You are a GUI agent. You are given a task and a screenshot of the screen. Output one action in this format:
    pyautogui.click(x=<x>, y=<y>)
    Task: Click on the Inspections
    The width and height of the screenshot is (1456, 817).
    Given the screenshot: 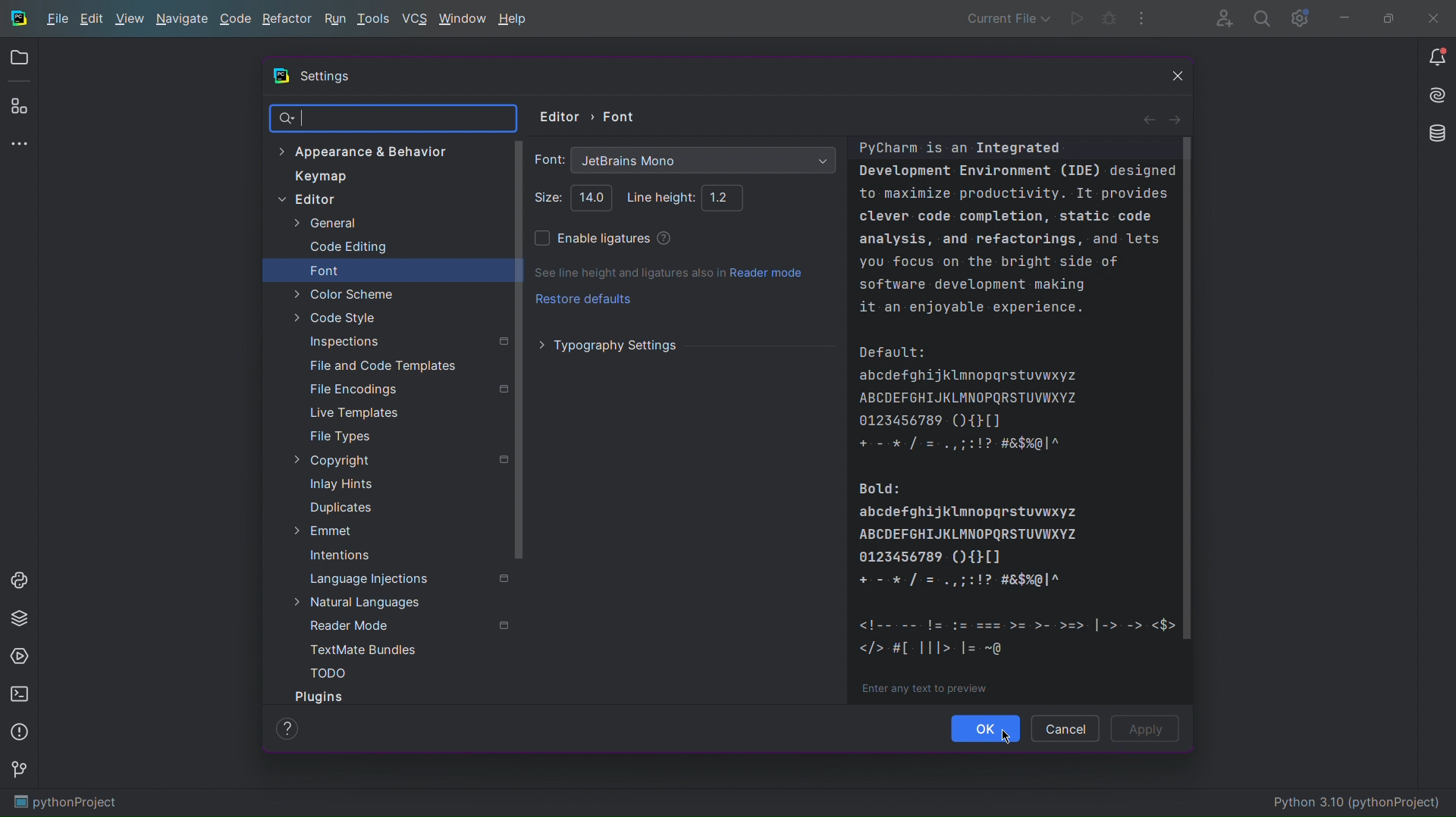 What is the action you would take?
    pyautogui.click(x=406, y=339)
    